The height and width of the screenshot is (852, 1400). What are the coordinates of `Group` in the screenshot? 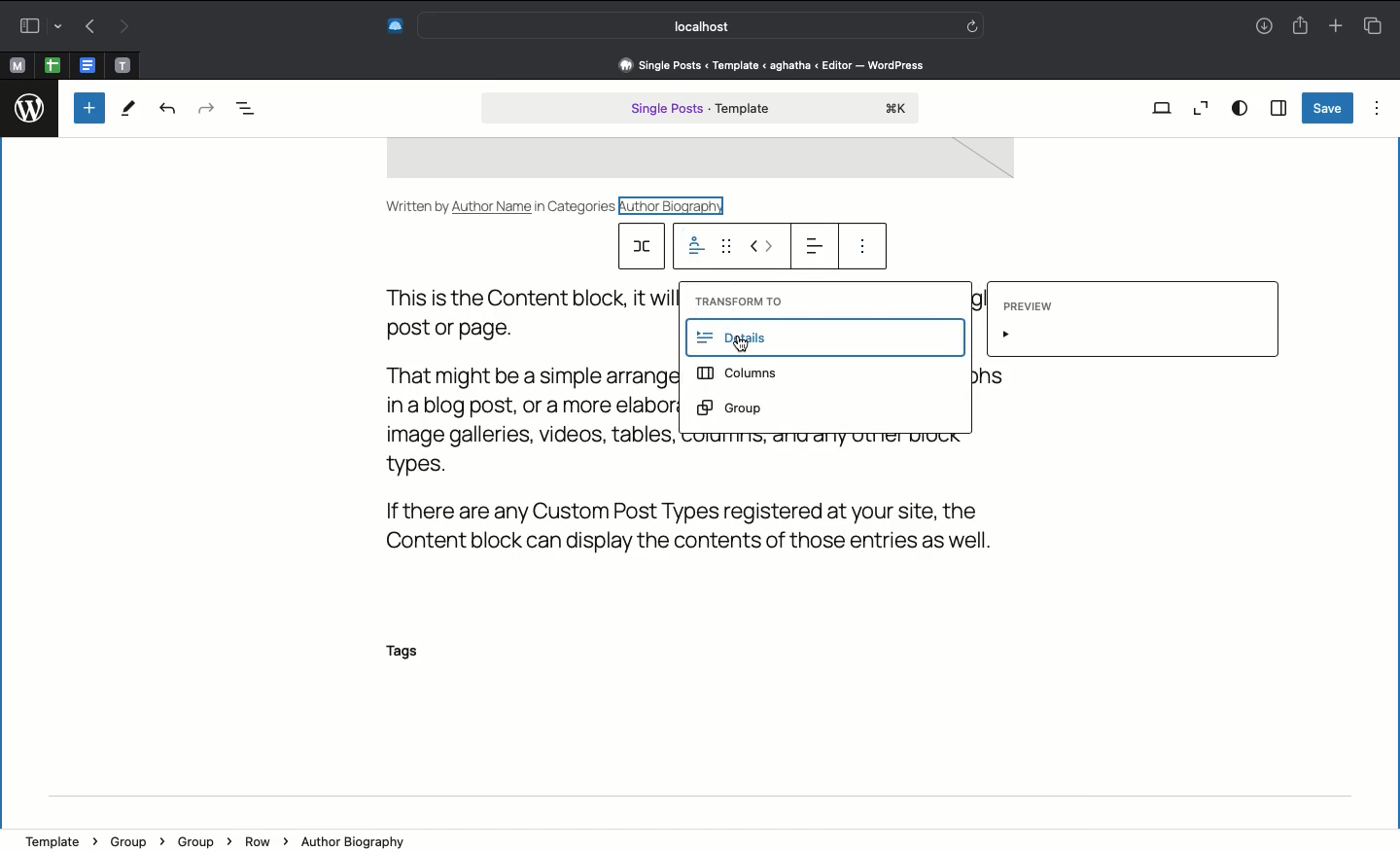 It's located at (201, 840).